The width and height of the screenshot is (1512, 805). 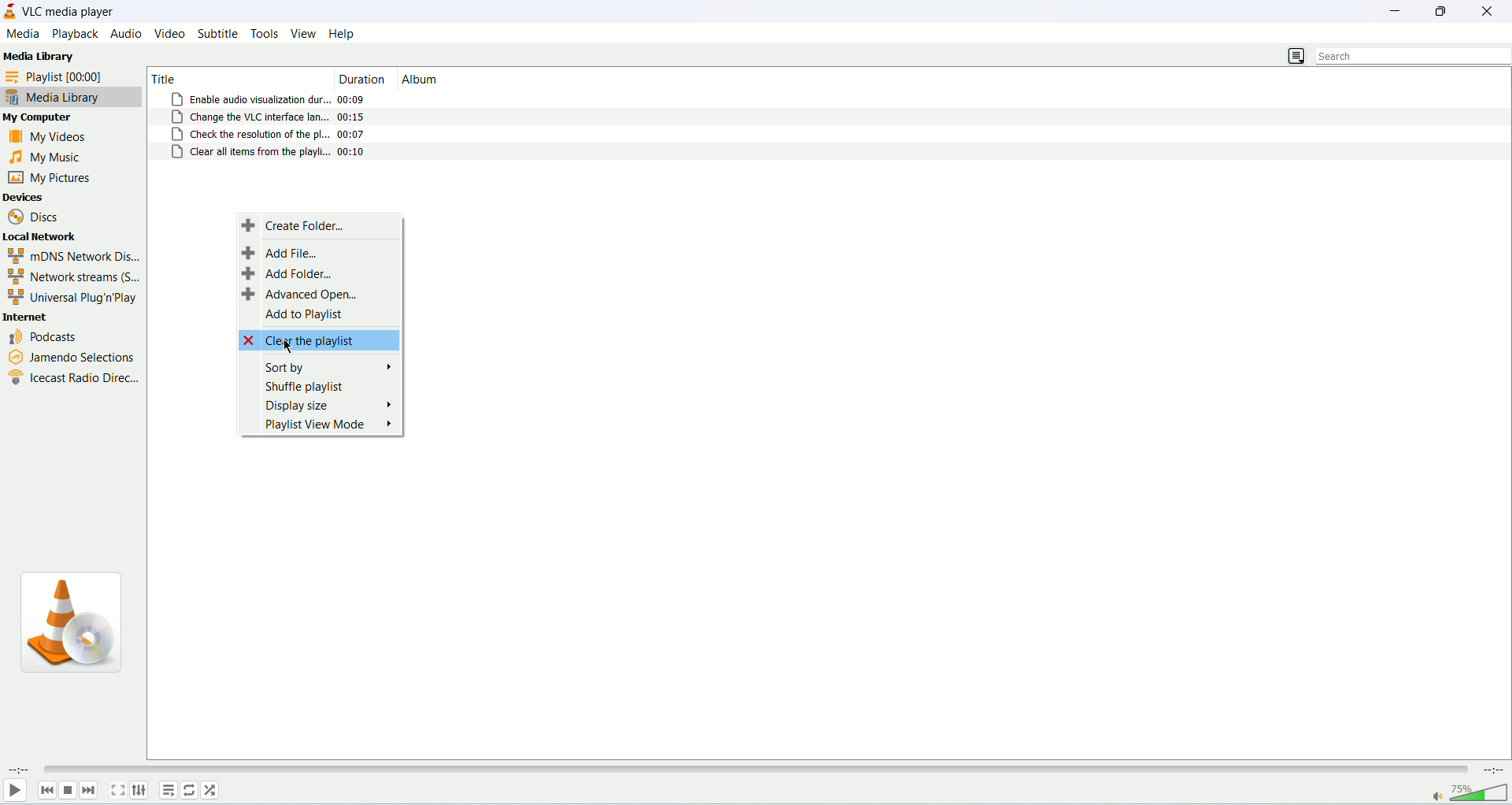 I want to click on volume bar, so click(x=1469, y=793).